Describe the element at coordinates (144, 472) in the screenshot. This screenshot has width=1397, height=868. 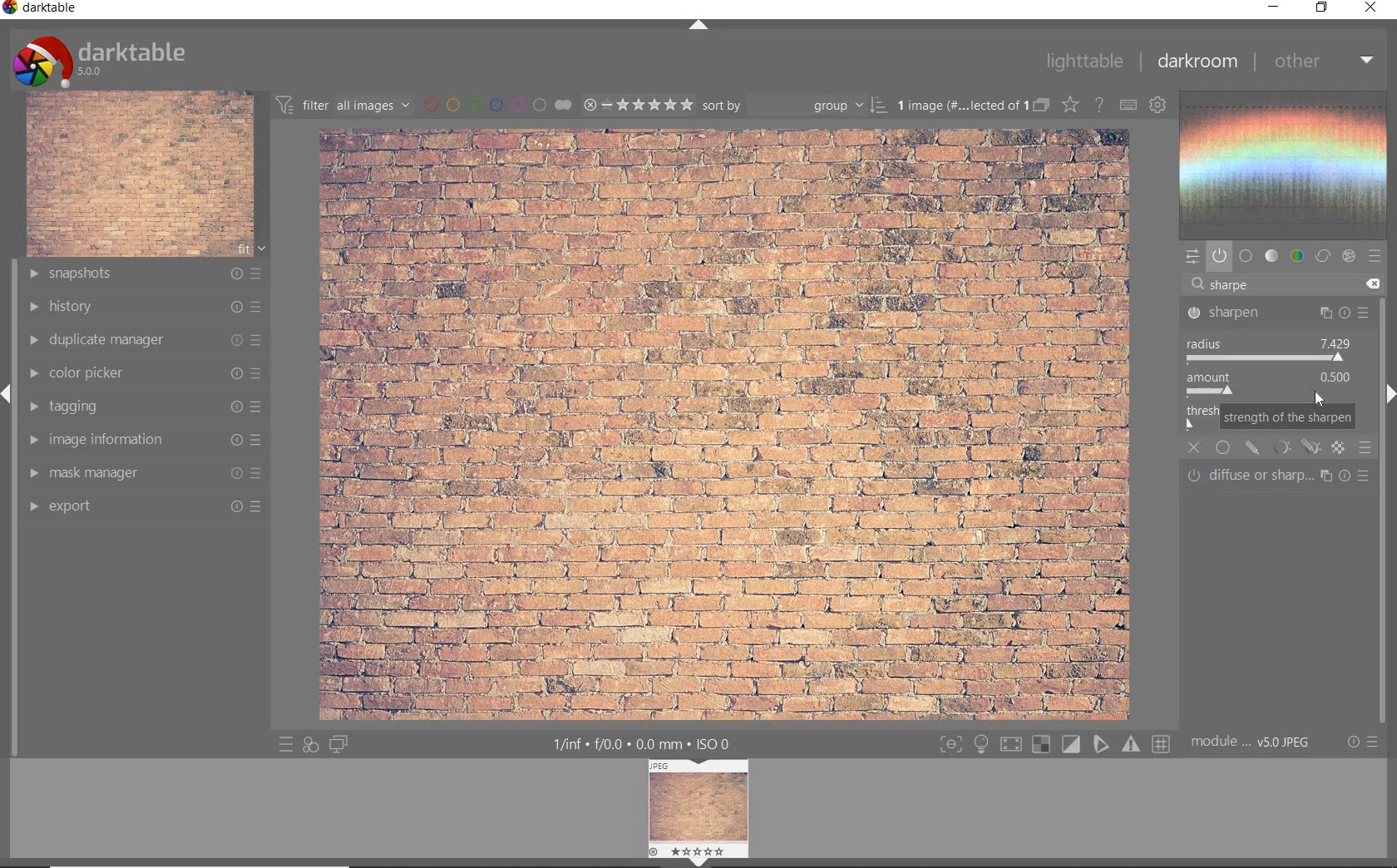
I see `mask manager` at that location.